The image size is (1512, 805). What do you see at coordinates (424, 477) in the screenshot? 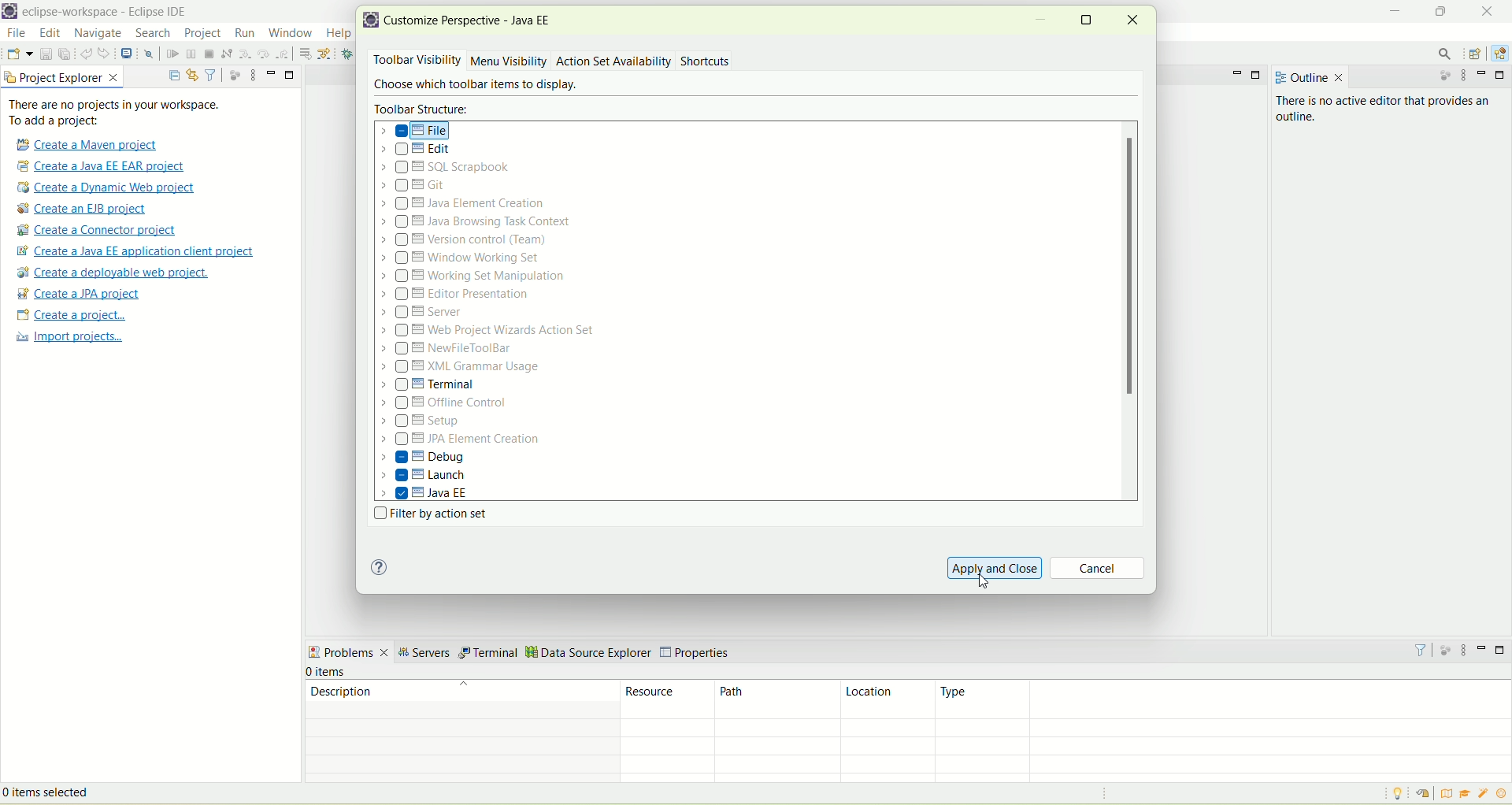
I see `launch` at bounding box center [424, 477].